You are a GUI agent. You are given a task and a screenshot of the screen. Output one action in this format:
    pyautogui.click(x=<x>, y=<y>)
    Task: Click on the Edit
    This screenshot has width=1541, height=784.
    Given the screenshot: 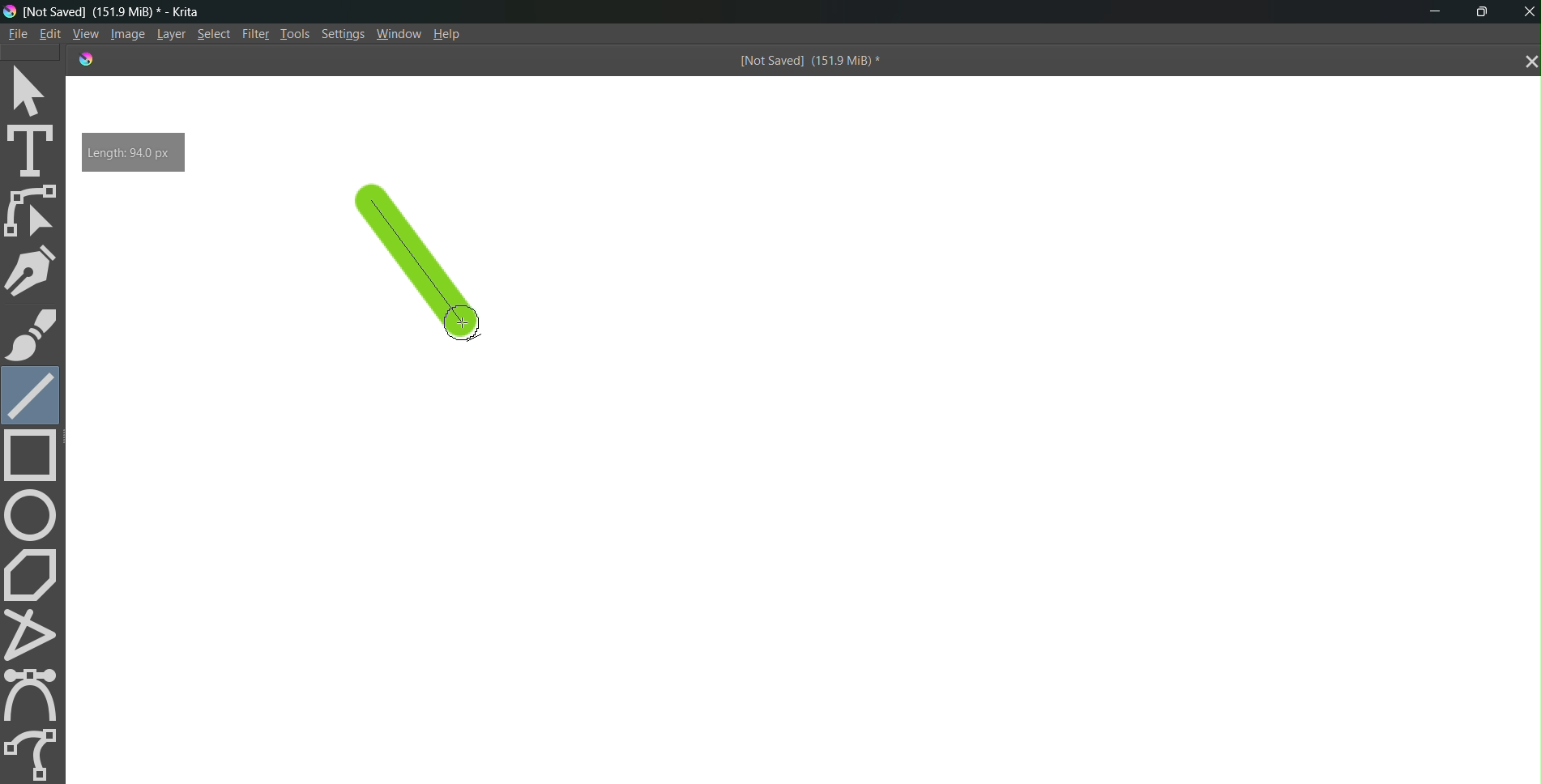 What is the action you would take?
    pyautogui.click(x=50, y=34)
    